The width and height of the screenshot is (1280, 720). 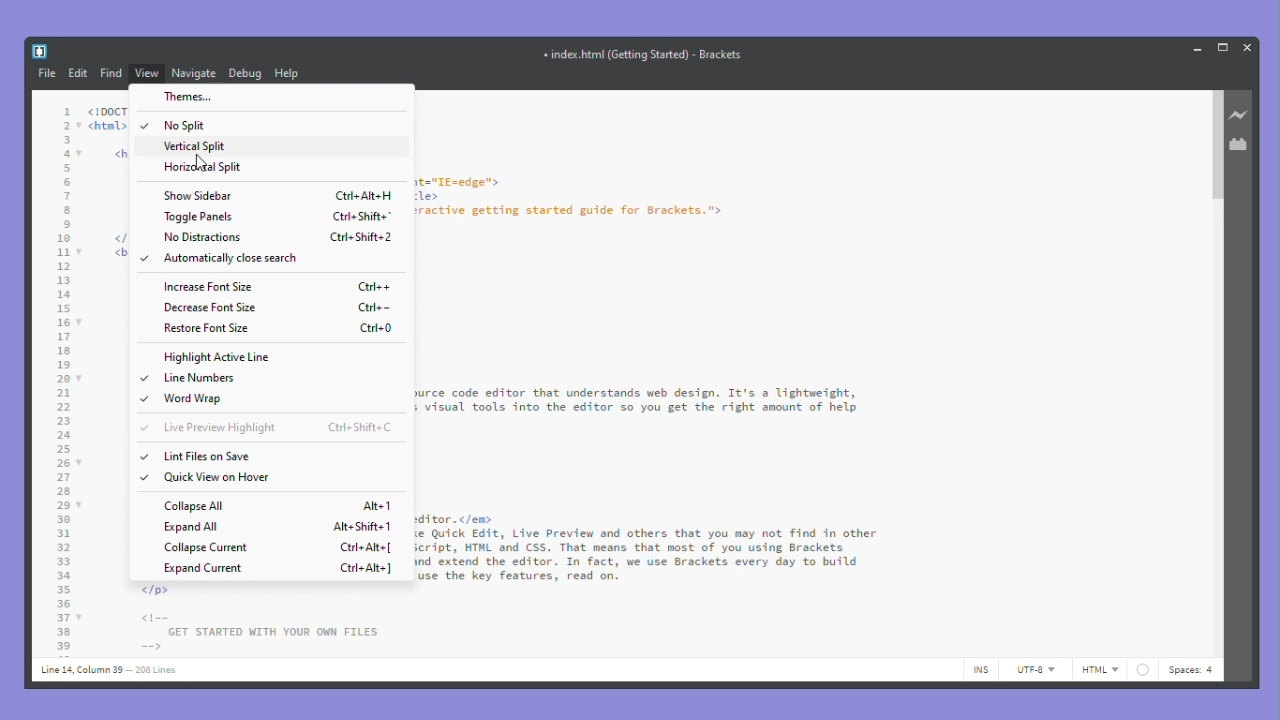 I want to click on 14, so click(x=63, y=294).